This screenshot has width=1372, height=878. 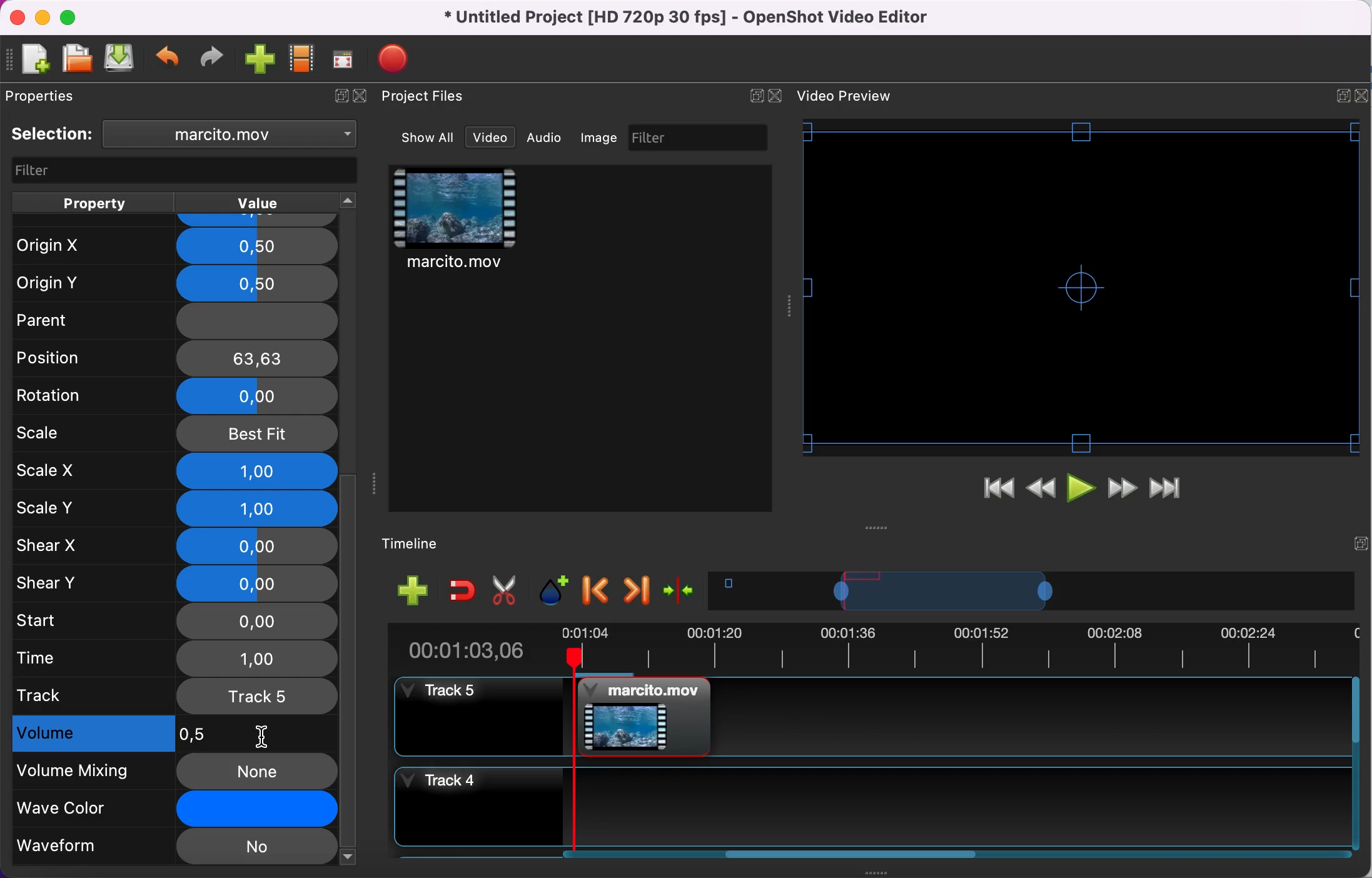 I want to click on close, so click(x=365, y=97).